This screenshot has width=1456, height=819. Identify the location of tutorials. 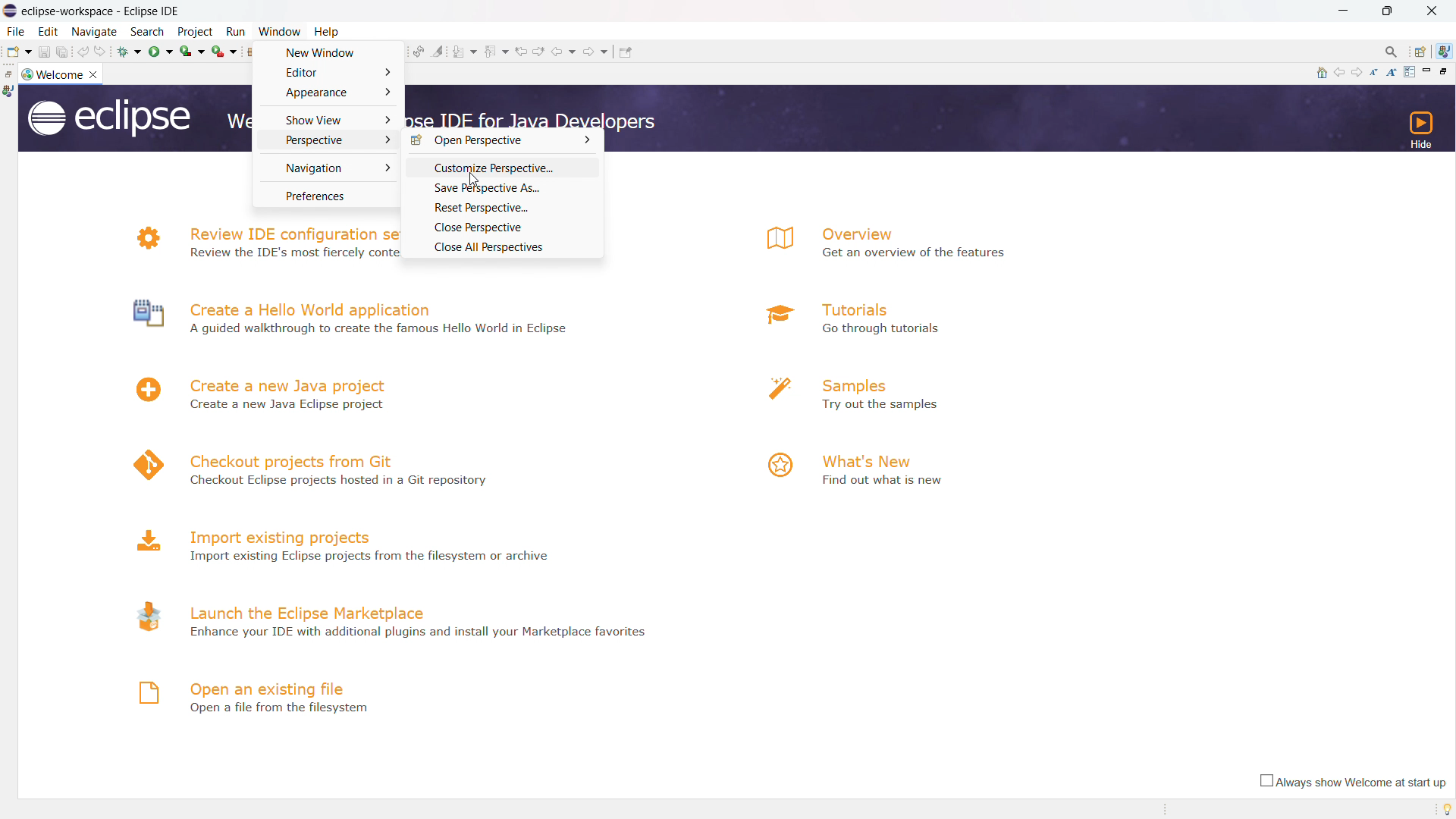
(854, 309).